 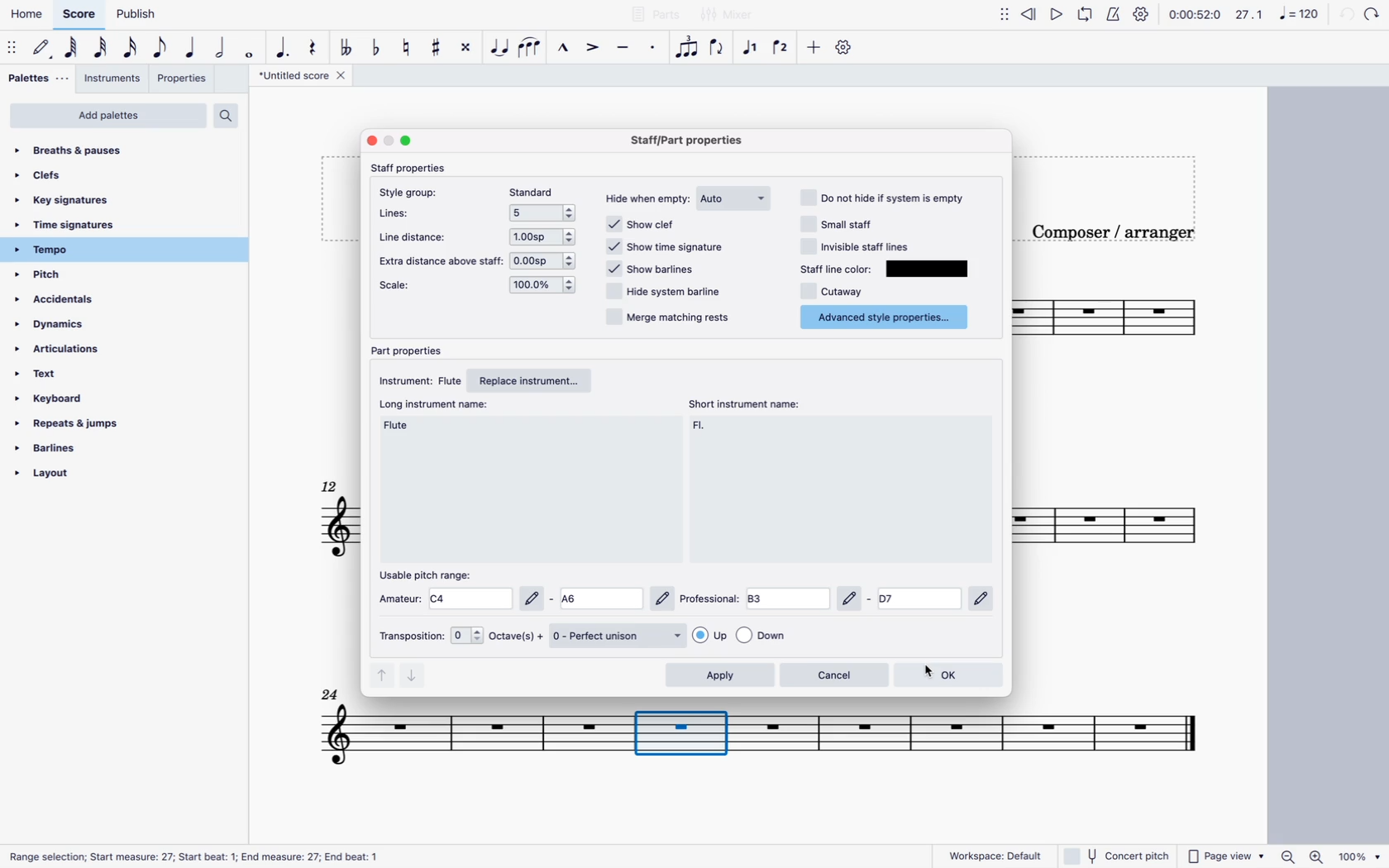 What do you see at coordinates (284, 48) in the screenshot?
I see `augmentative dot` at bounding box center [284, 48].